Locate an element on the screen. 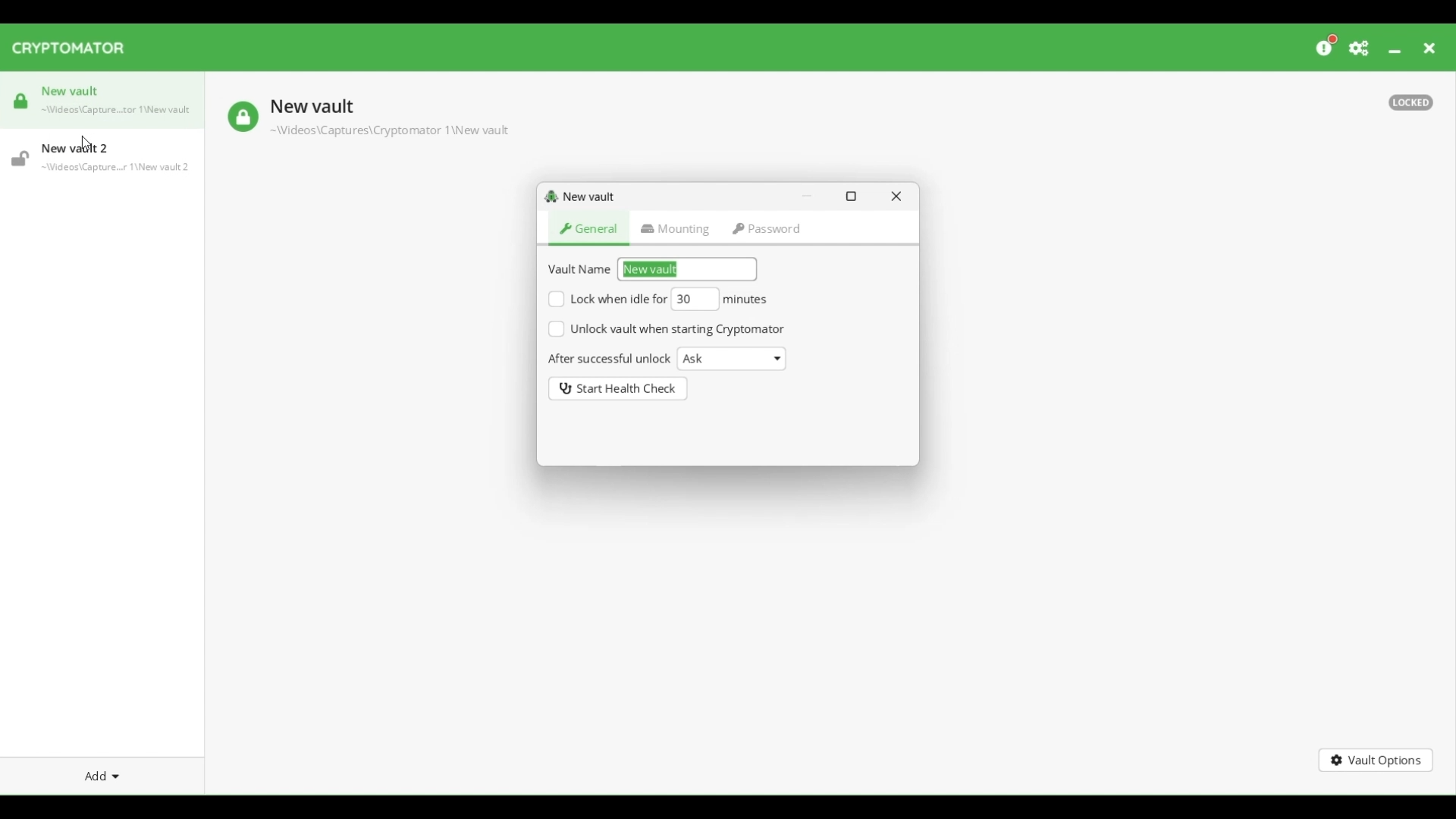 Image resolution: width=1456 pixels, height=819 pixels. Enter vault name is located at coordinates (689, 269).